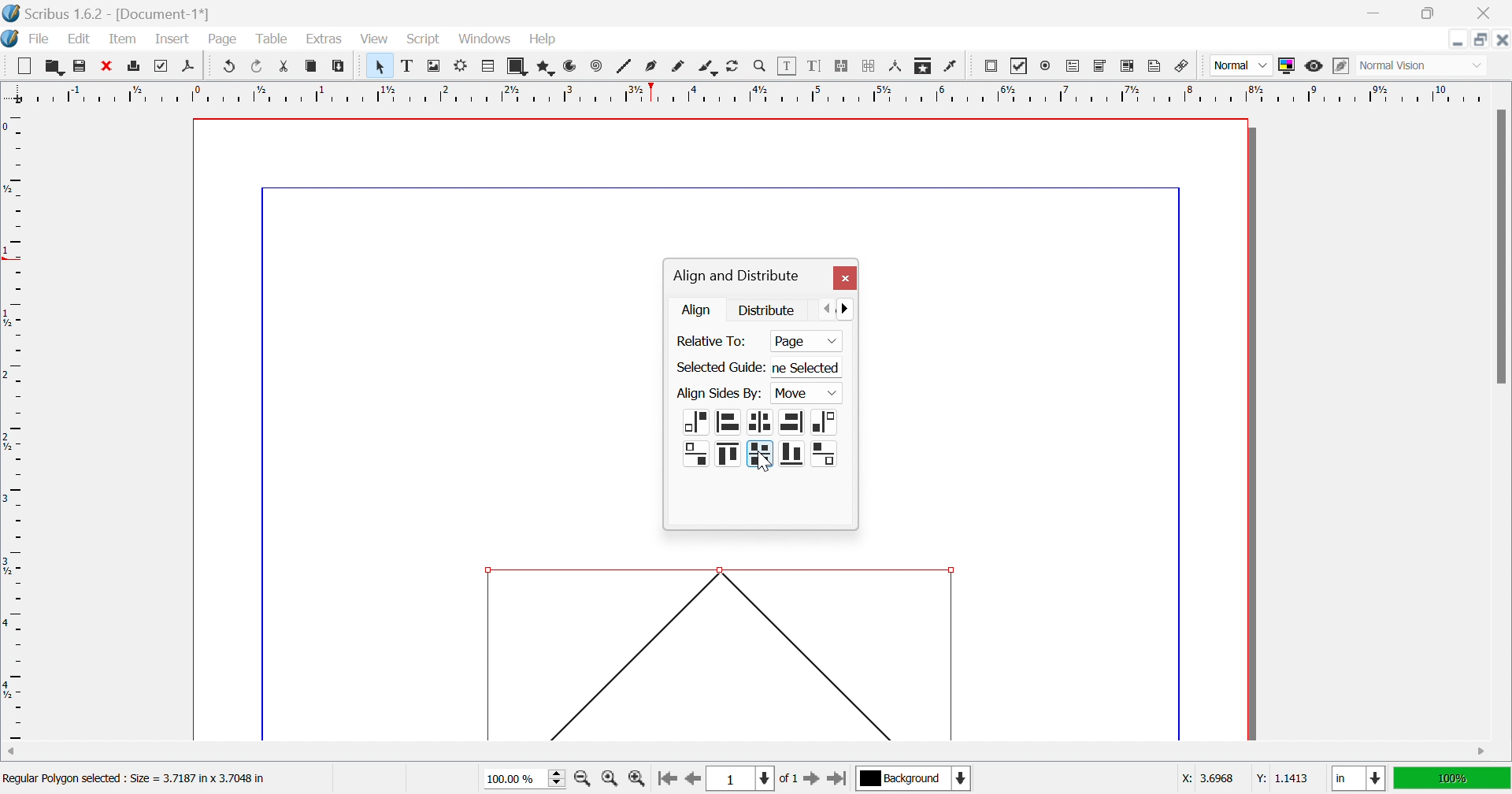 The image size is (1512, 794). What do you see at coordinates (1500, 246) in the screenshot?
I see `Scroll bar` at bounding box center [1500, 246].